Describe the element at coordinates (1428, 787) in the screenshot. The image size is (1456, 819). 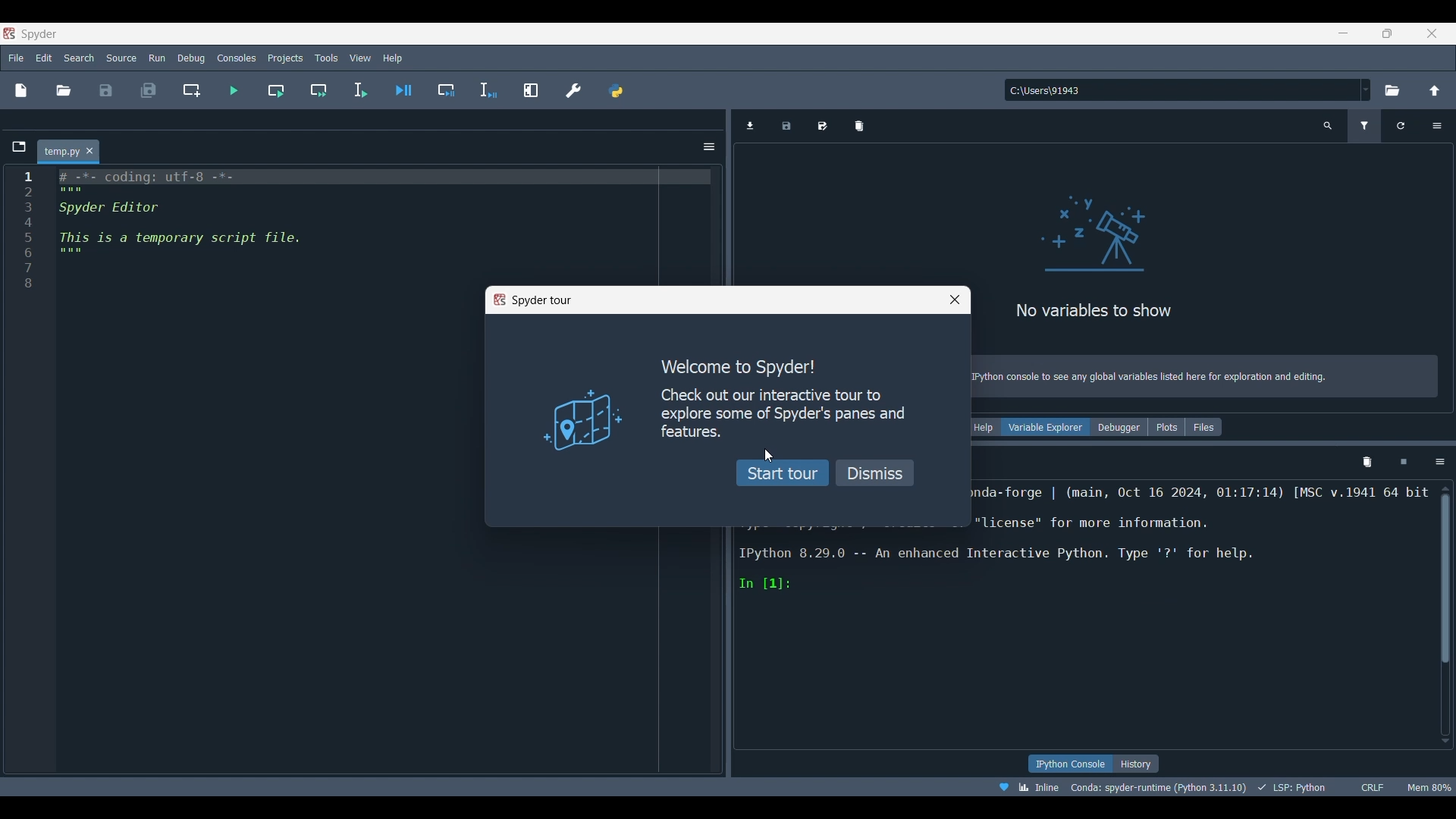
I see `Mem 80%` at that location.